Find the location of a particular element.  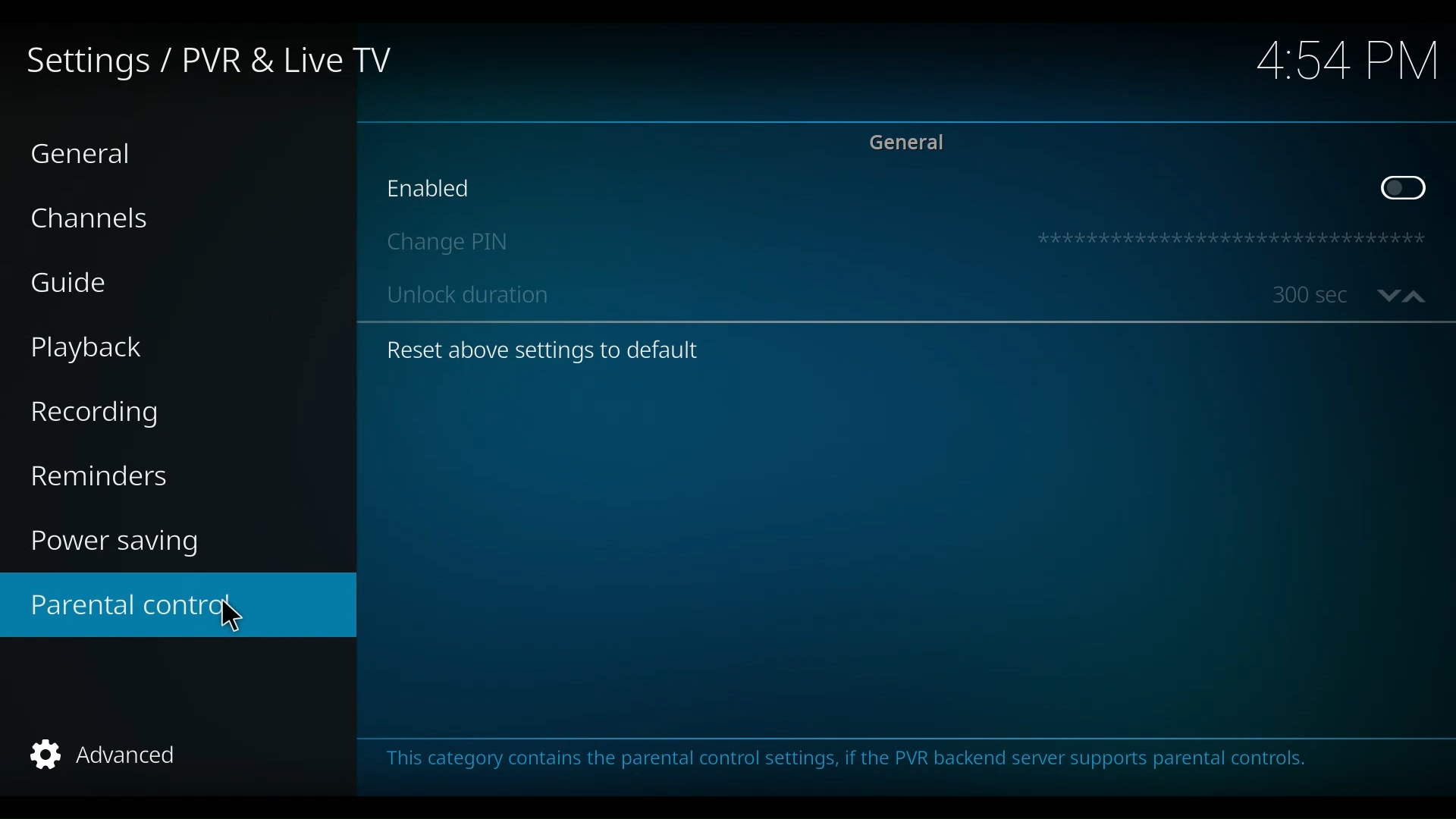

unlock duration in seconds is located at coordinates (1313, 293).